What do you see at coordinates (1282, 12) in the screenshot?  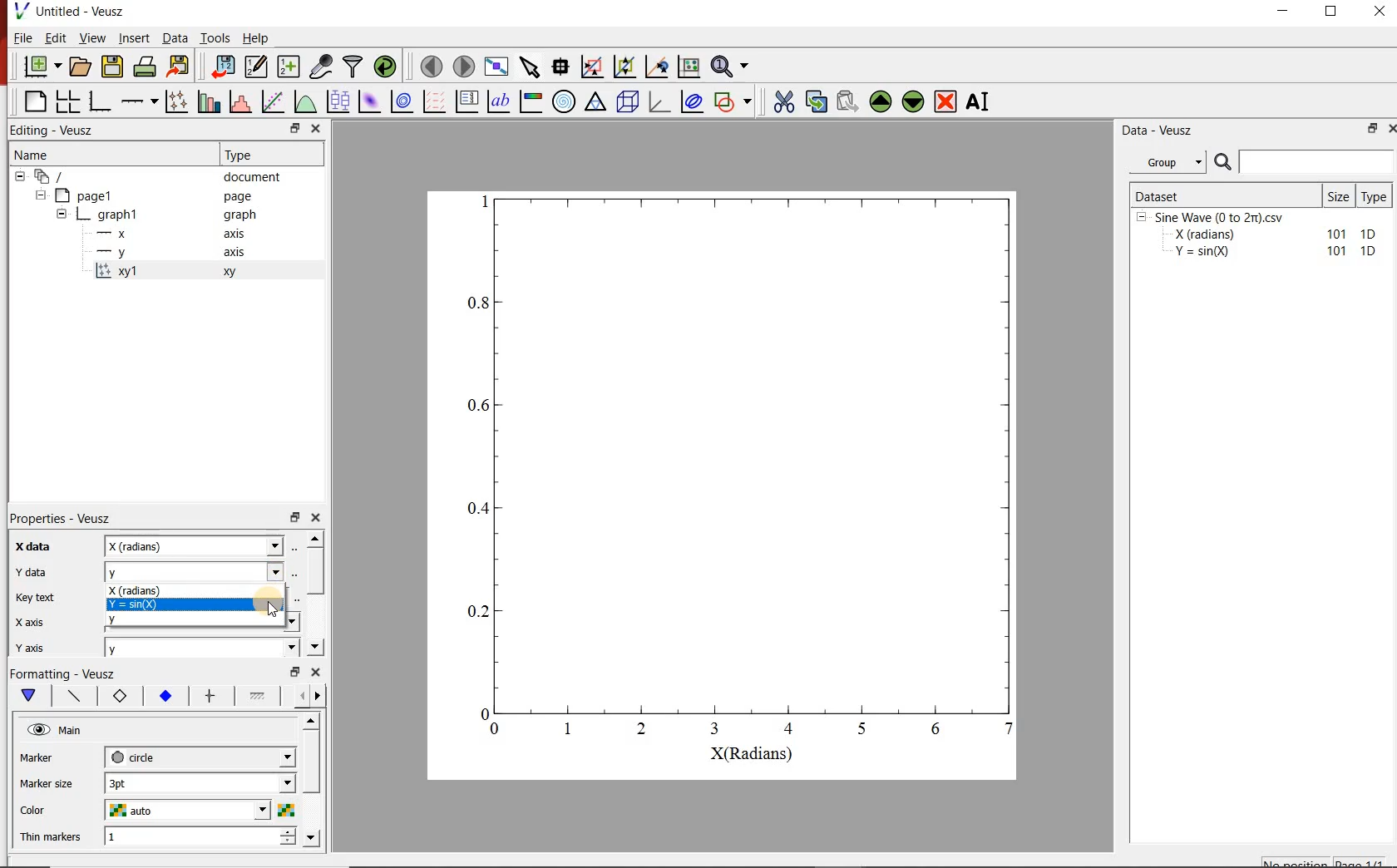 I see `Minimize` at bounding box center [1282, 12].